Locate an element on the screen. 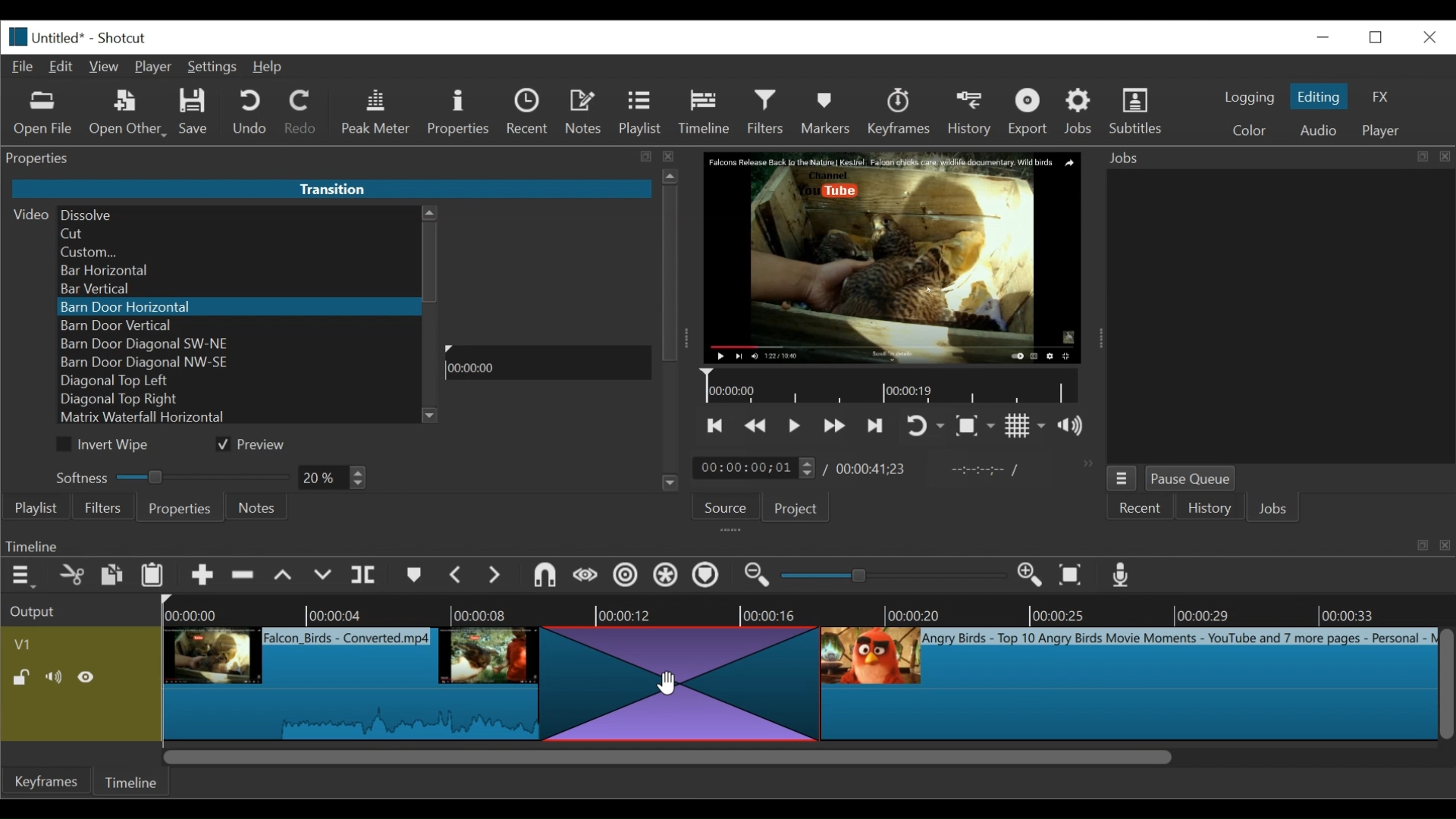 This screenshot has width=1456, height=819. Source is located at coordinates (729, 506).